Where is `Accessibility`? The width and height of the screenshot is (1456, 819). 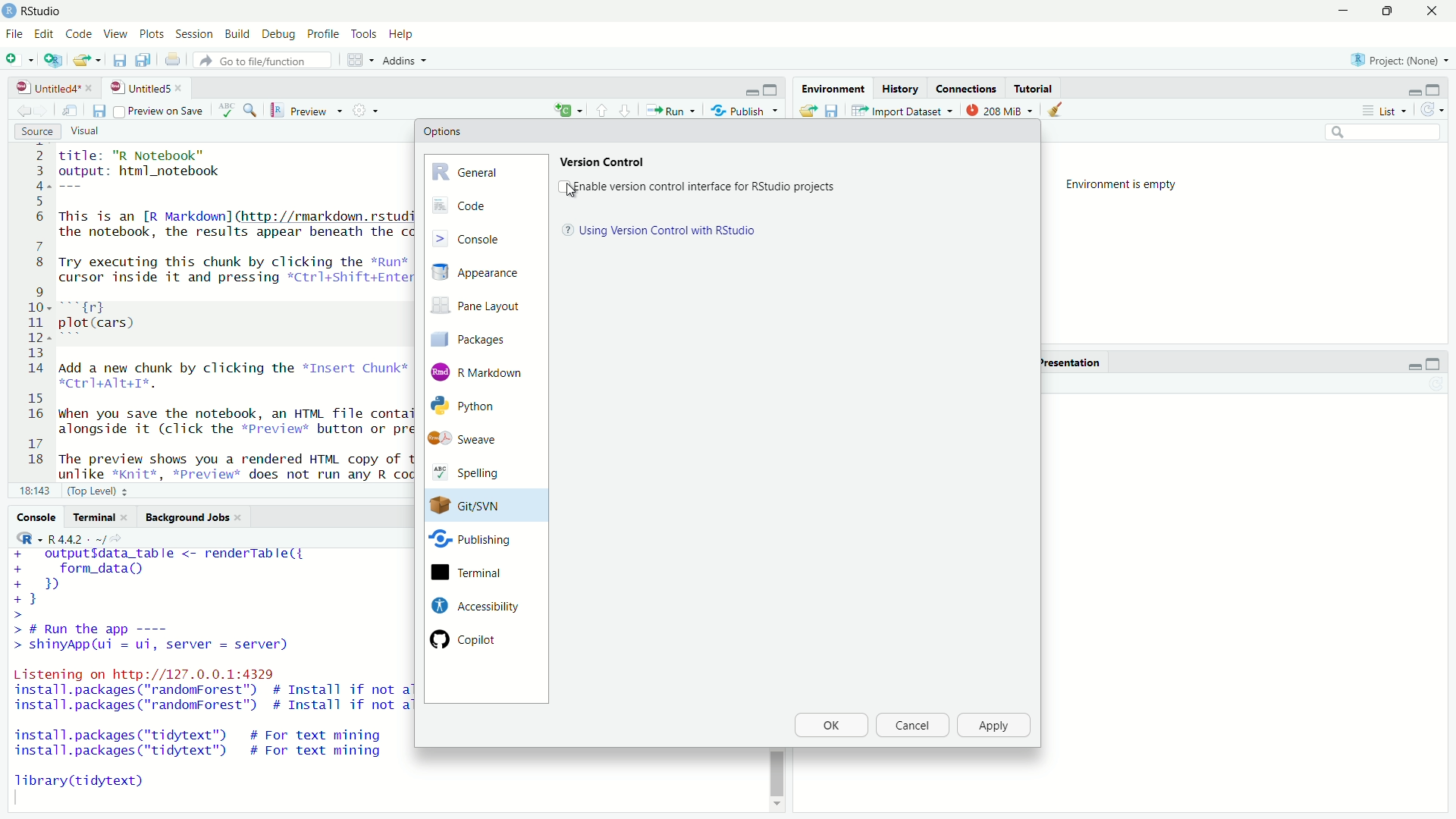 Accessibility is located at coordinates (473, 605).